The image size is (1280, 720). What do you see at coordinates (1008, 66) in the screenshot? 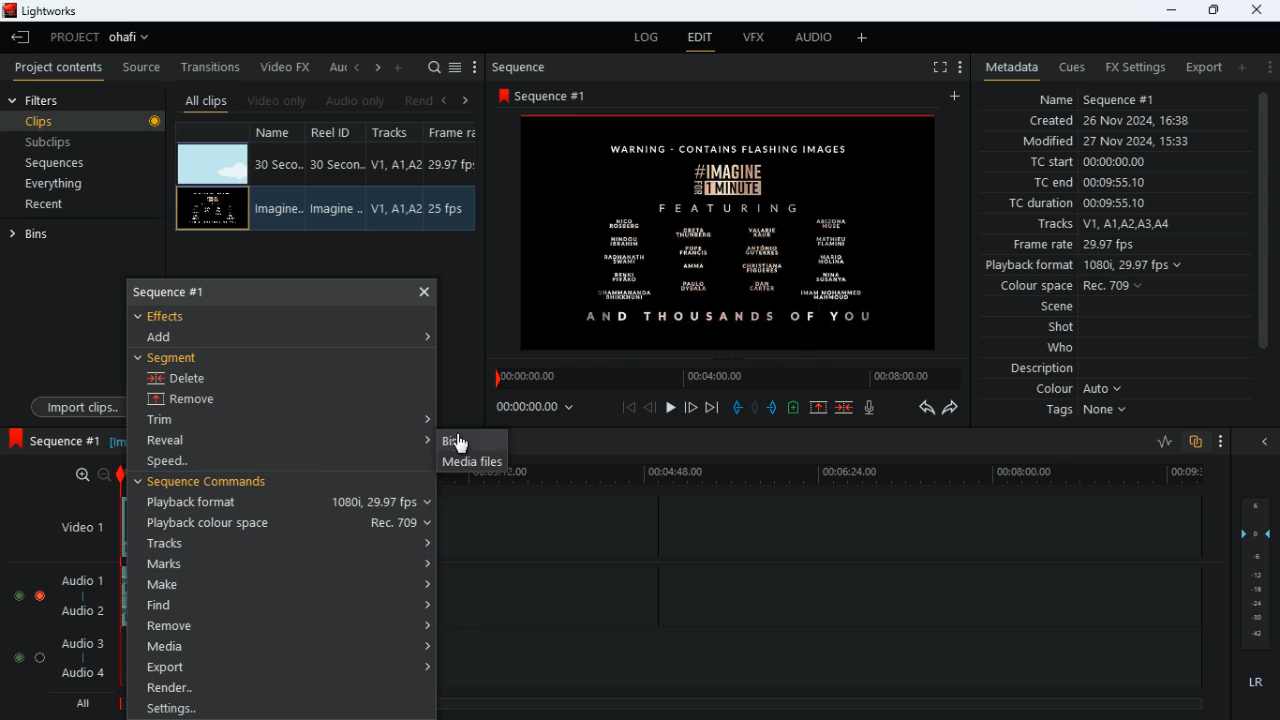
I see `metadata` at bounding box center [1008, 66].